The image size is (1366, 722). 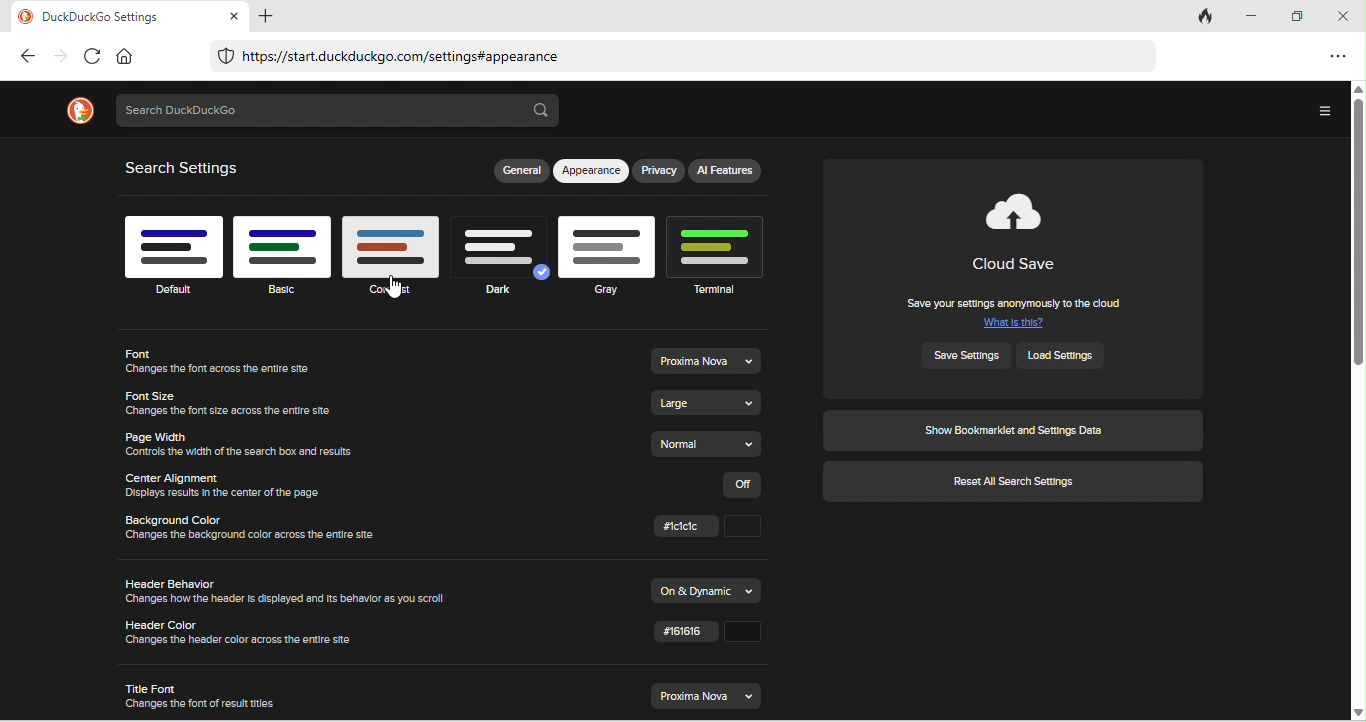 What do you see at coordinates (90, 56) in the screenshot?
I see `refresh` at bounding box center [90, 56].